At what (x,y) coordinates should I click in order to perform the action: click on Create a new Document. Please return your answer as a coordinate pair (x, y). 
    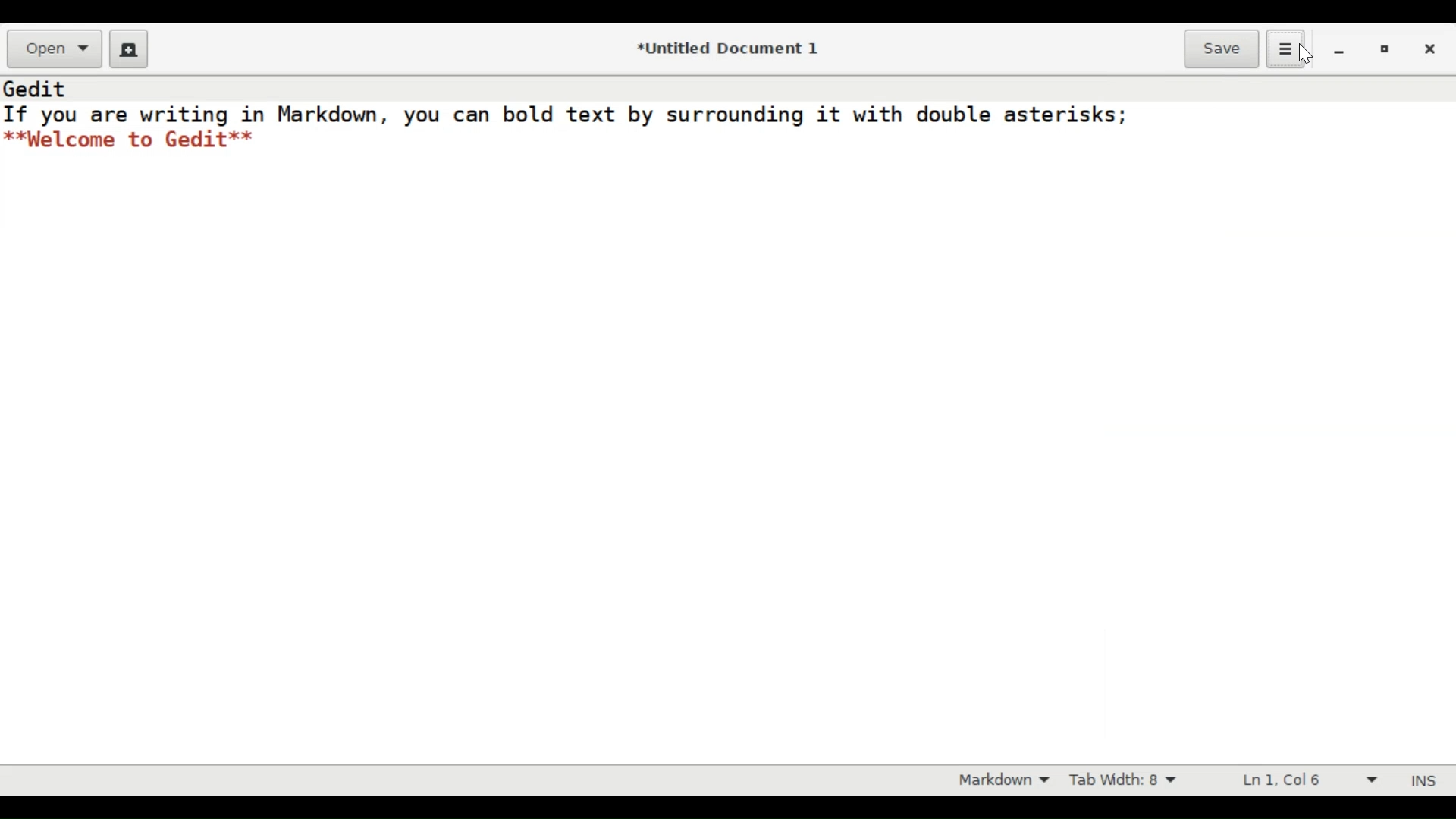
    Looking at the image, I should click on (129, 49).